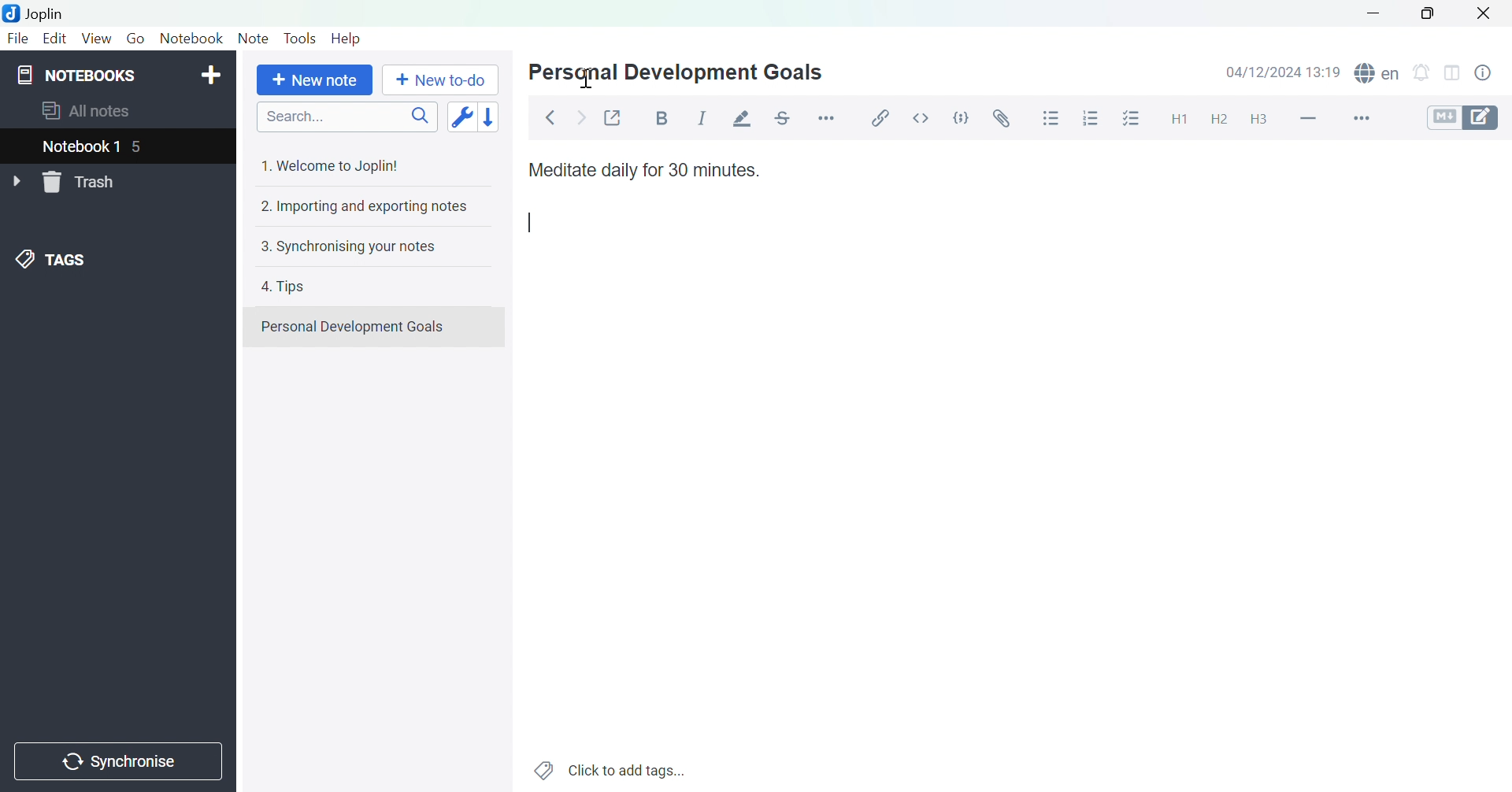 The height and width of the screenshot is (792, 1512). Describe the element at coordinates (613, 117) in the screenshot. I see `Toggle external editing` at that location.